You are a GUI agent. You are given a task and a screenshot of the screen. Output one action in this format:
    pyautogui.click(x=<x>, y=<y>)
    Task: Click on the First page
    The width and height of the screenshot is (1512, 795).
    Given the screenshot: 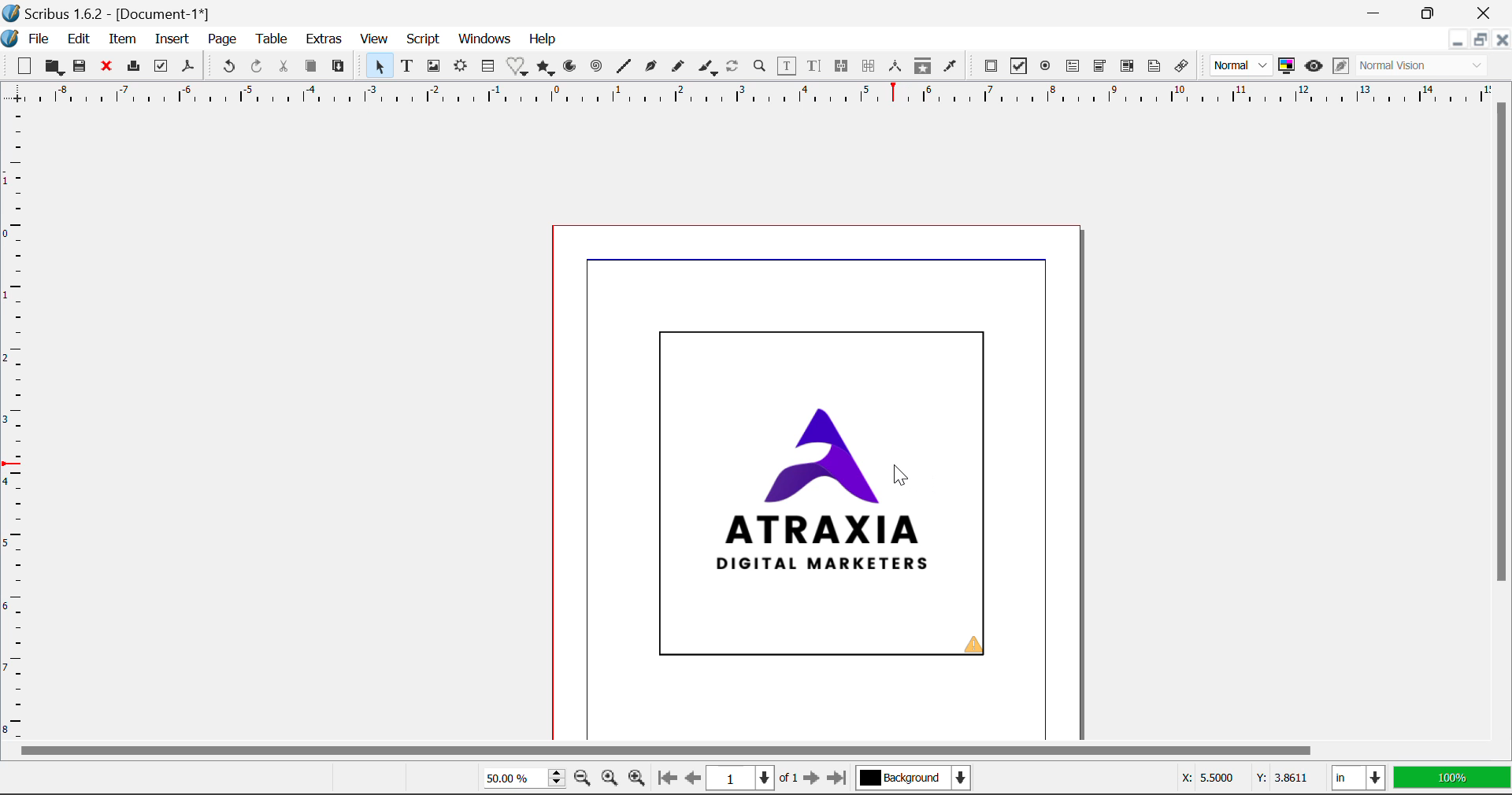 What is the action you would take?
    pyautogui.click(x=667, y=781)
    